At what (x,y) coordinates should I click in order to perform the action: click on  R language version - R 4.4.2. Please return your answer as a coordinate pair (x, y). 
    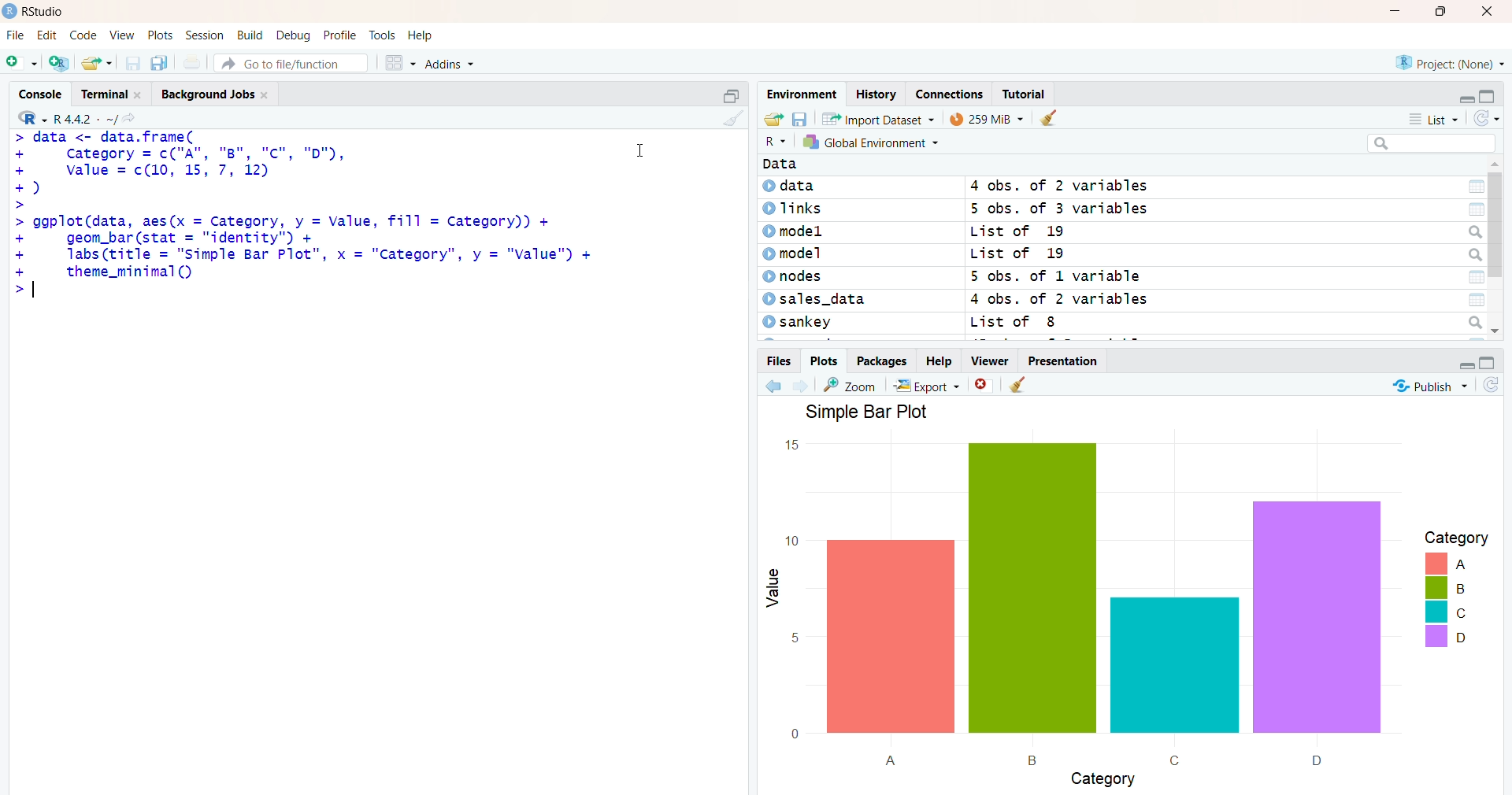
    Looking at the image, I should click on (85, 117).